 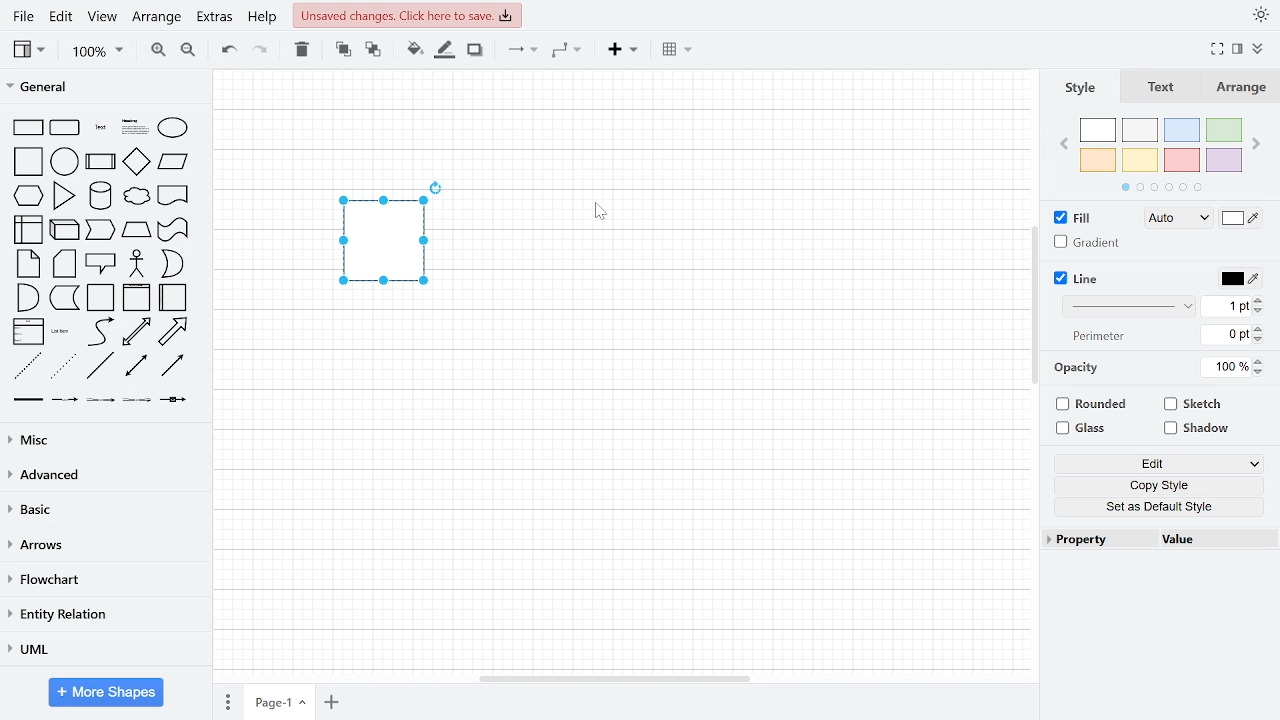 I want to click on unsaved changes. Click here to save, so click(x=410, y=15).